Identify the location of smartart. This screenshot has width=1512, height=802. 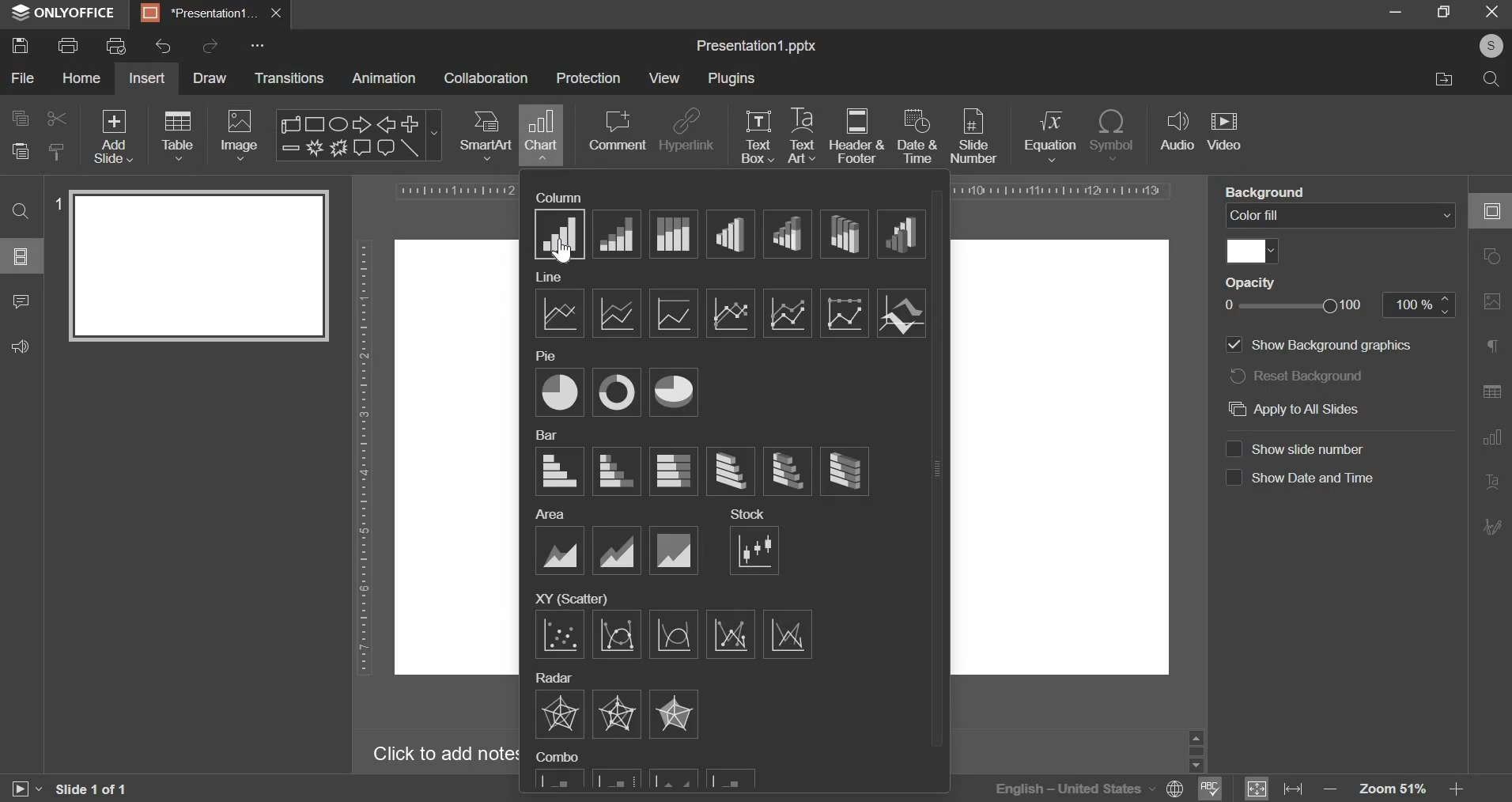
(486, 134).